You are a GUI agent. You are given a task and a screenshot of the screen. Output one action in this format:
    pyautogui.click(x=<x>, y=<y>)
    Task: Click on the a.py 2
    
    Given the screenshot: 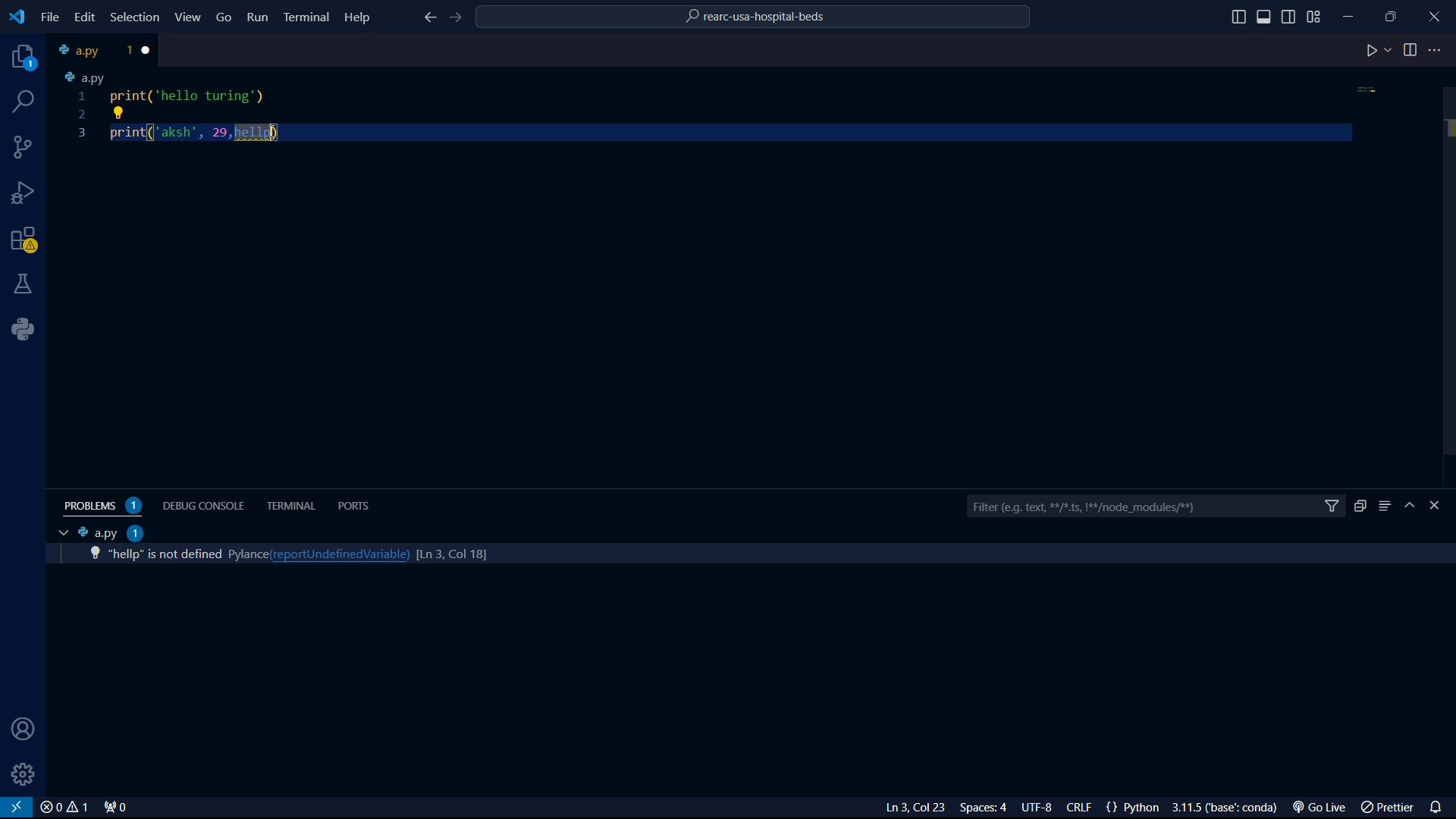 What is the action you would take?
    pyautogui.click(x=111, y=532)
    